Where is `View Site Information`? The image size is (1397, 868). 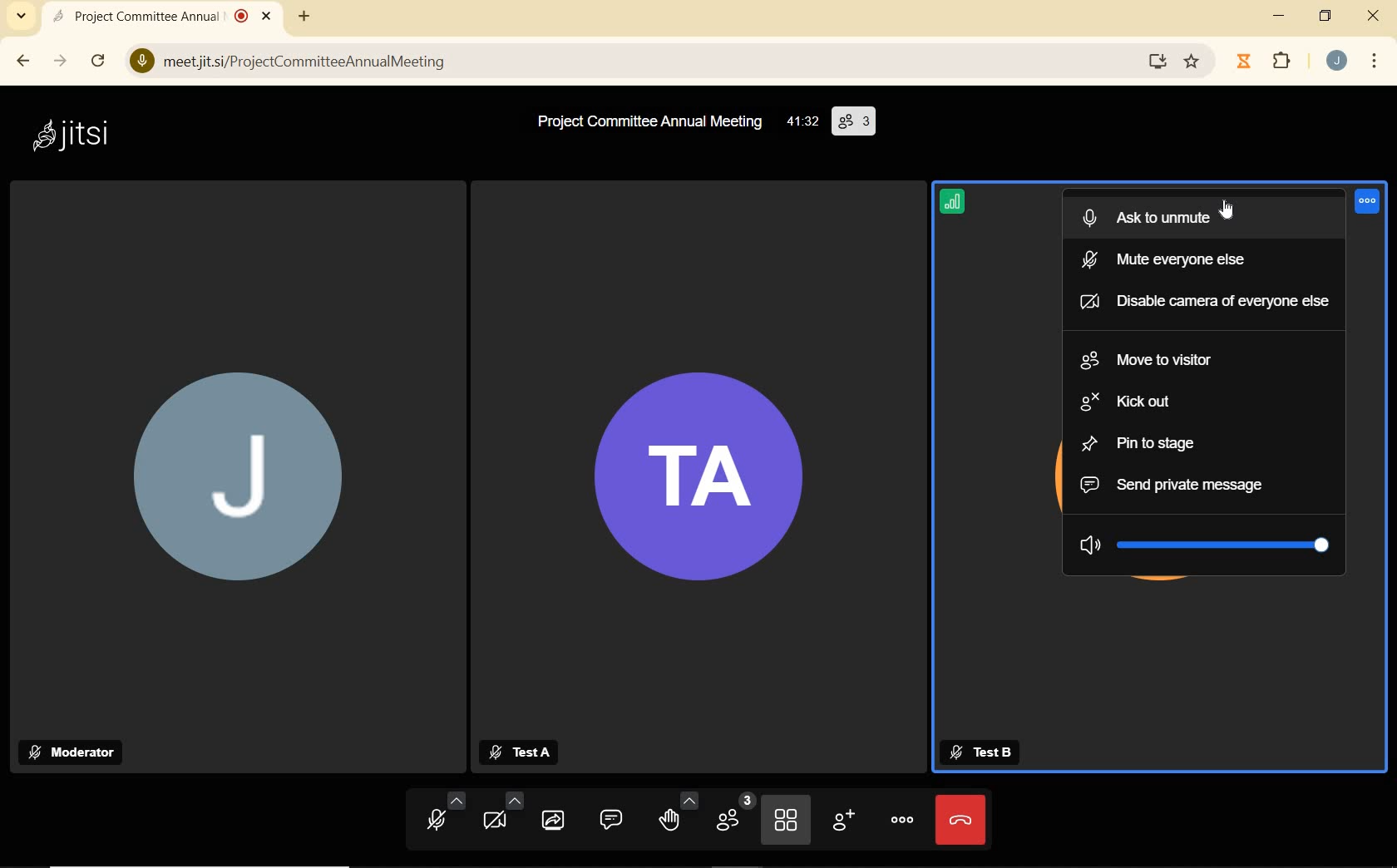
View Site Information is located at coordinates (142, 62).